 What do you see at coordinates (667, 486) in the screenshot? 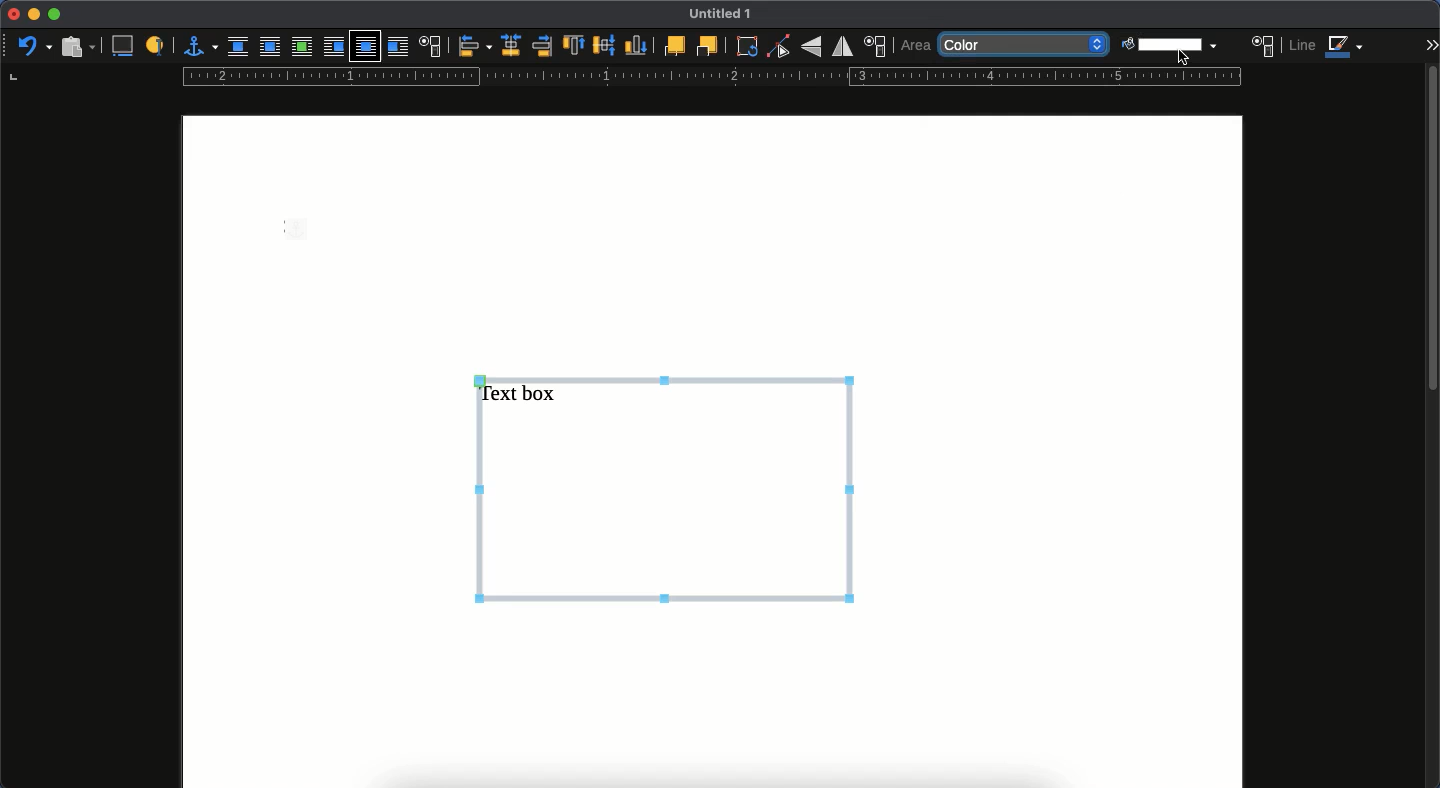
I see `text box` at bounding box center [667, 486].